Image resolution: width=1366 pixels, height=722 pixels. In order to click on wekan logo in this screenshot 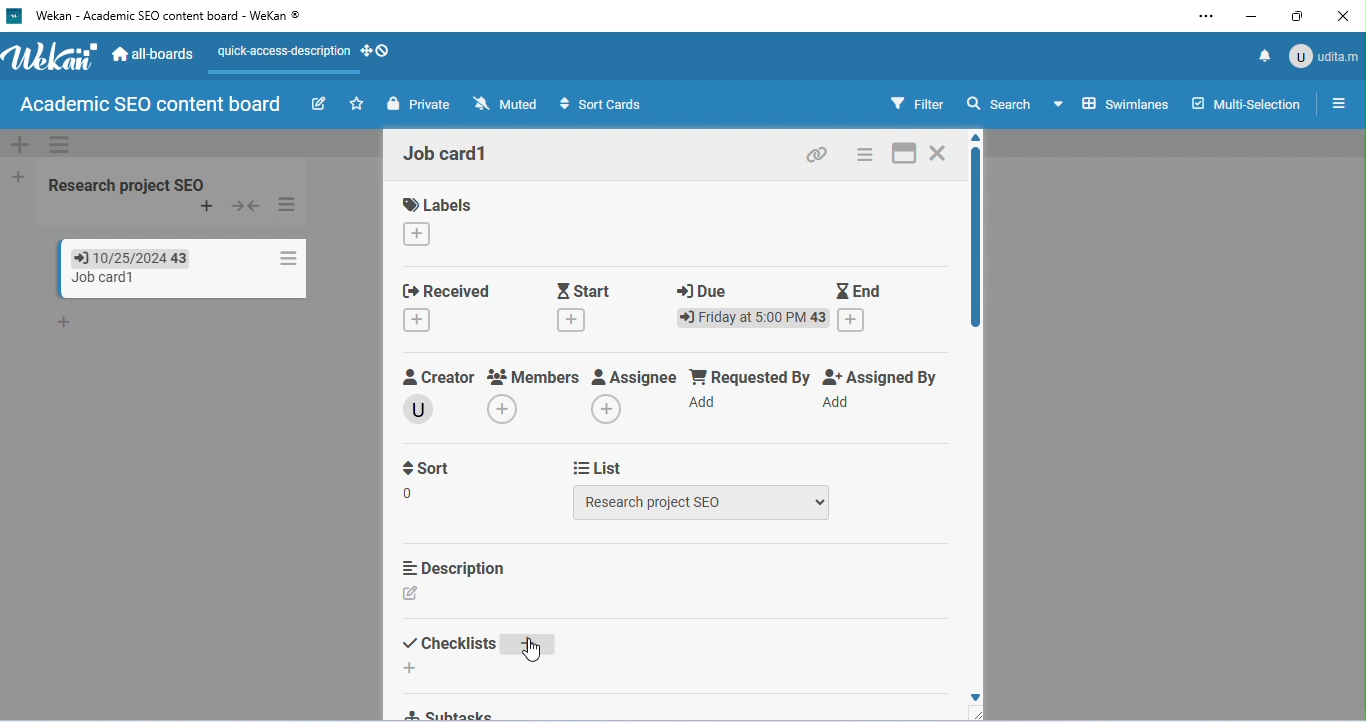, I will do `click(52, 60)`.